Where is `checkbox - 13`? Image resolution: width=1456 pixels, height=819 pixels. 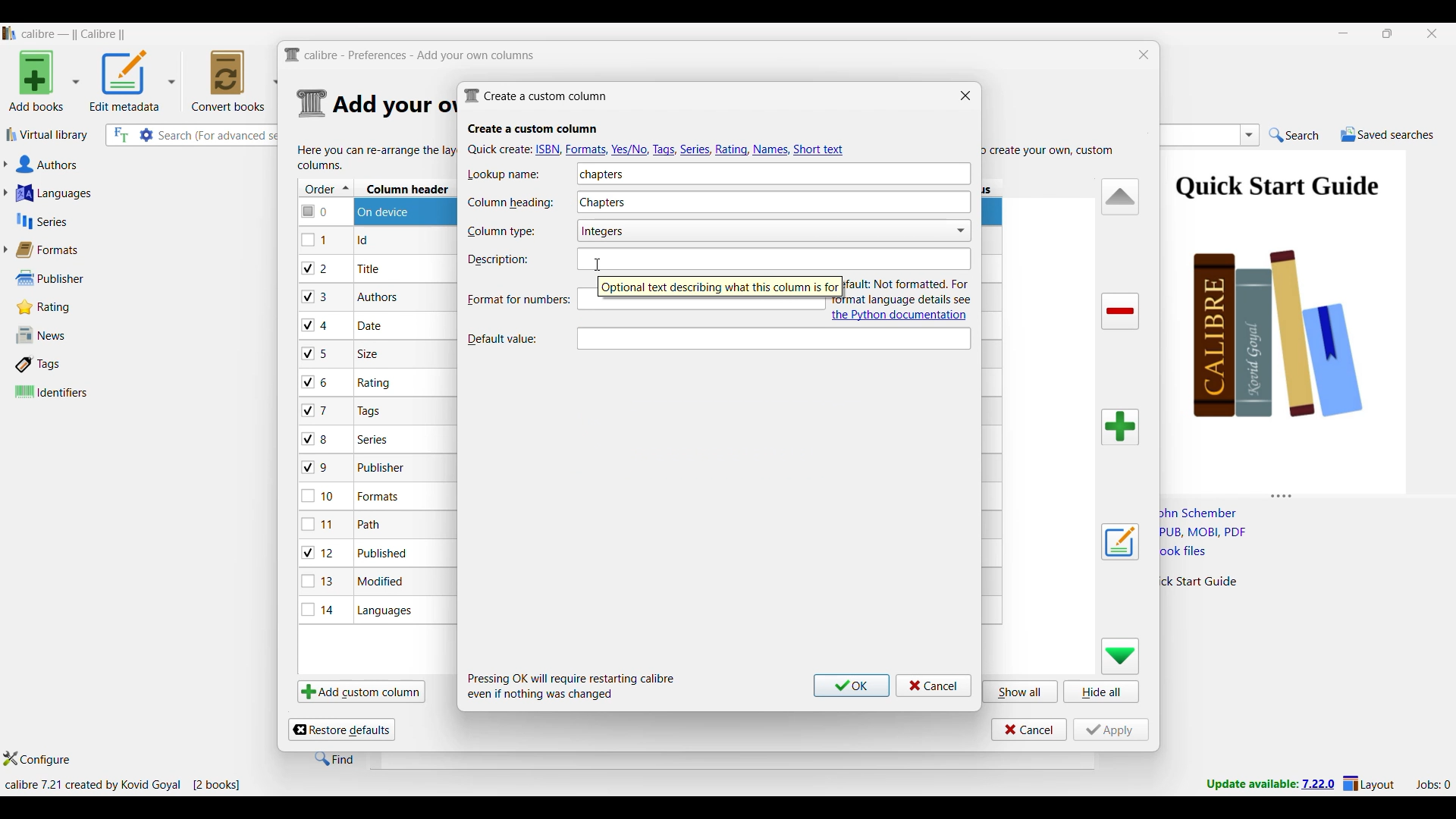
checkbox - 13 is located at coordinates (318, 581).